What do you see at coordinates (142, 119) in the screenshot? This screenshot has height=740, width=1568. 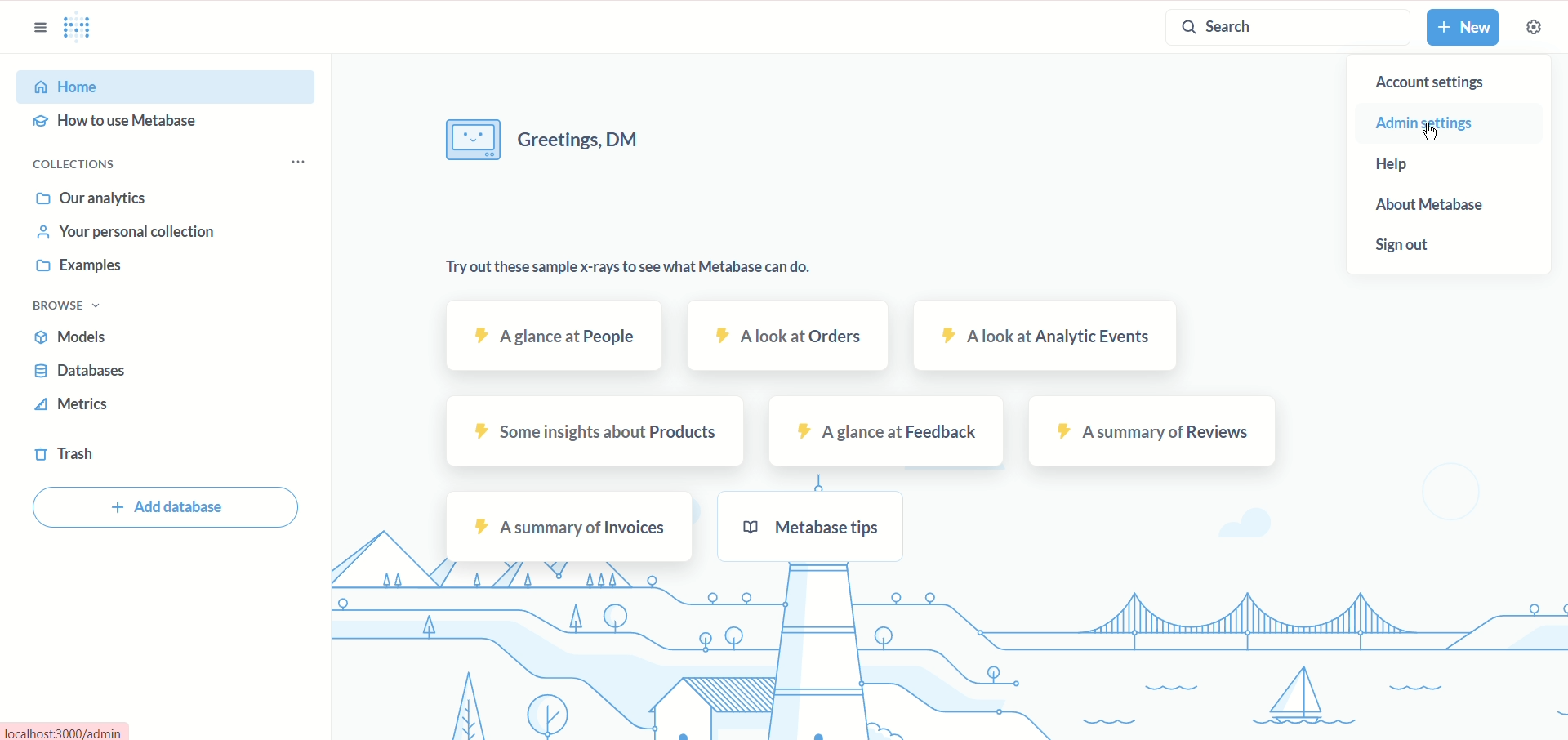 I see `How to use metabase` at bounding box center [142, 119].